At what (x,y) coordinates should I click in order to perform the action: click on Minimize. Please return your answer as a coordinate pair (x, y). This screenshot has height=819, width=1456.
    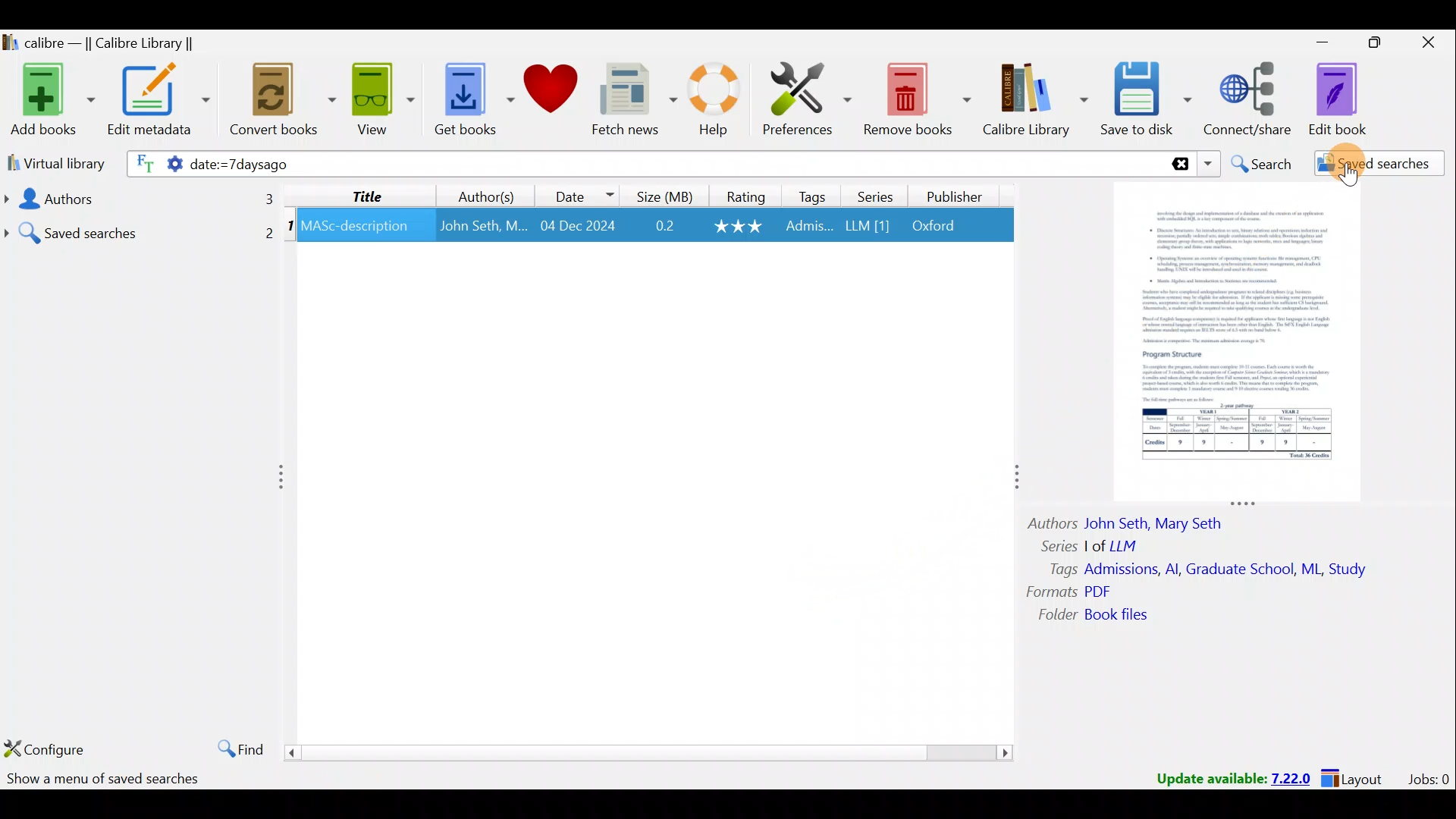
    Looking at the image, I should click on (1314, 42).